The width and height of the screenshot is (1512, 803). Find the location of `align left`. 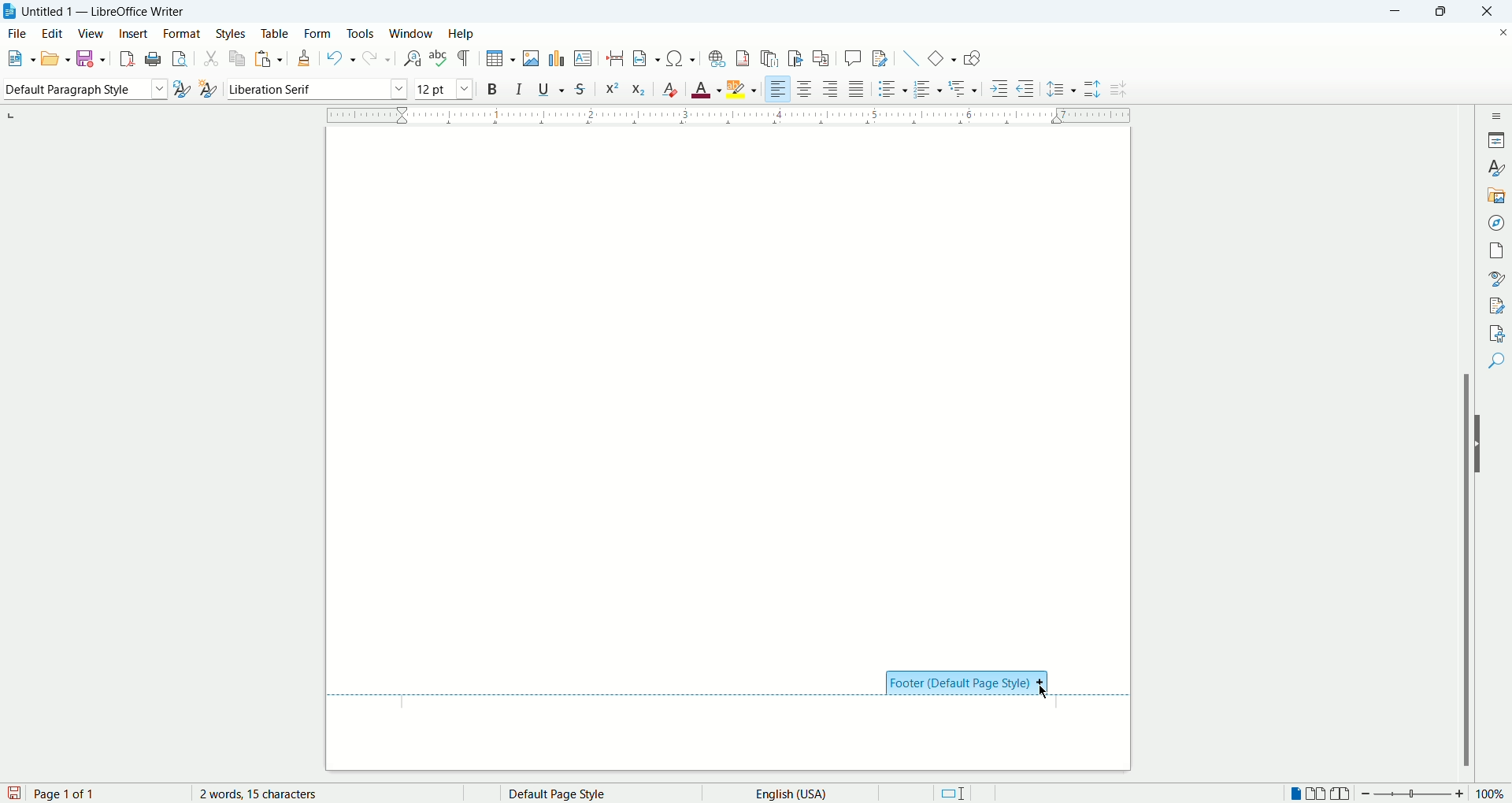

align left is located at coordinates (779, 90).